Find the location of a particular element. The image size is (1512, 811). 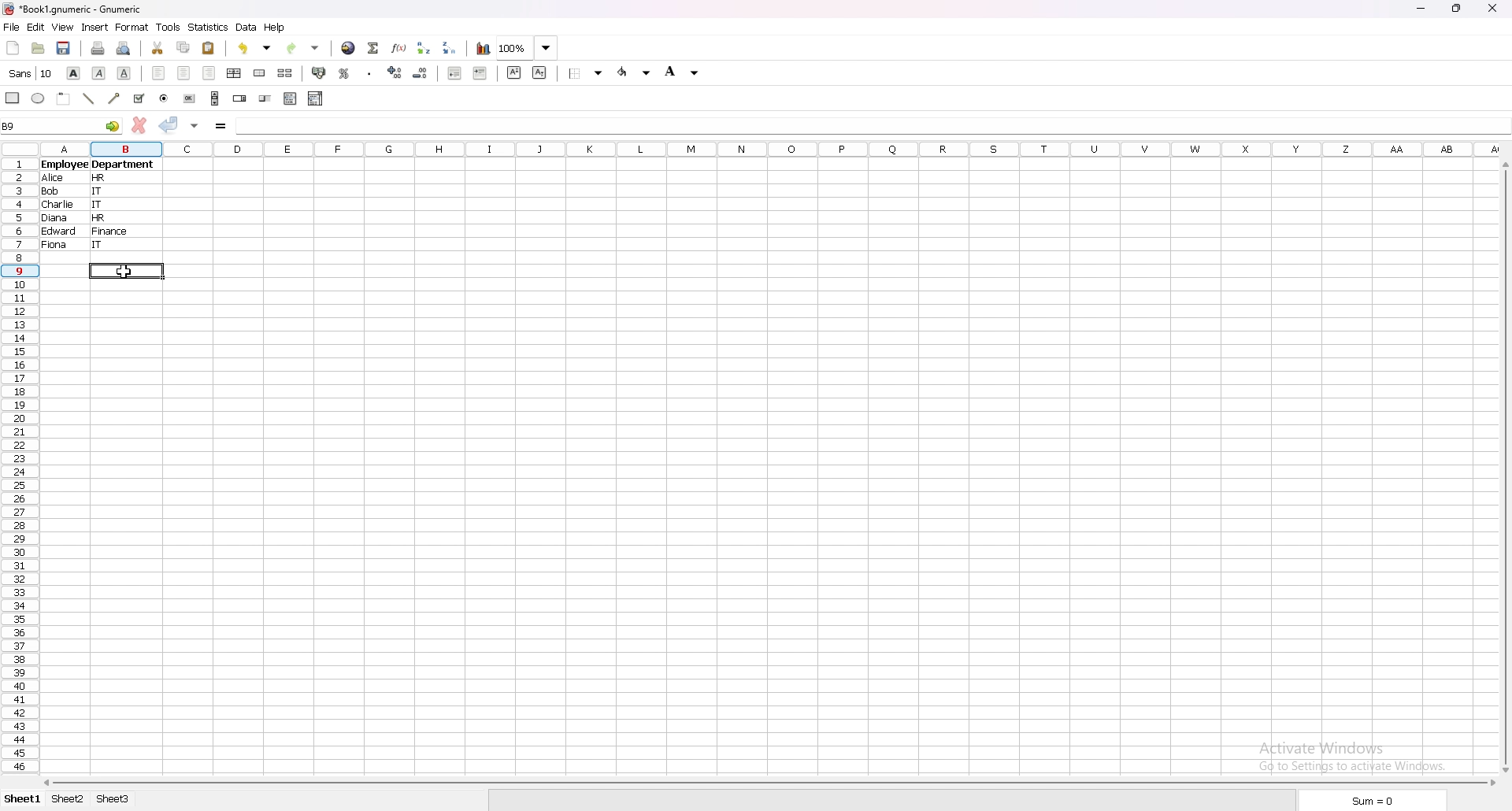

cell input is located at coordinates (866, 124).